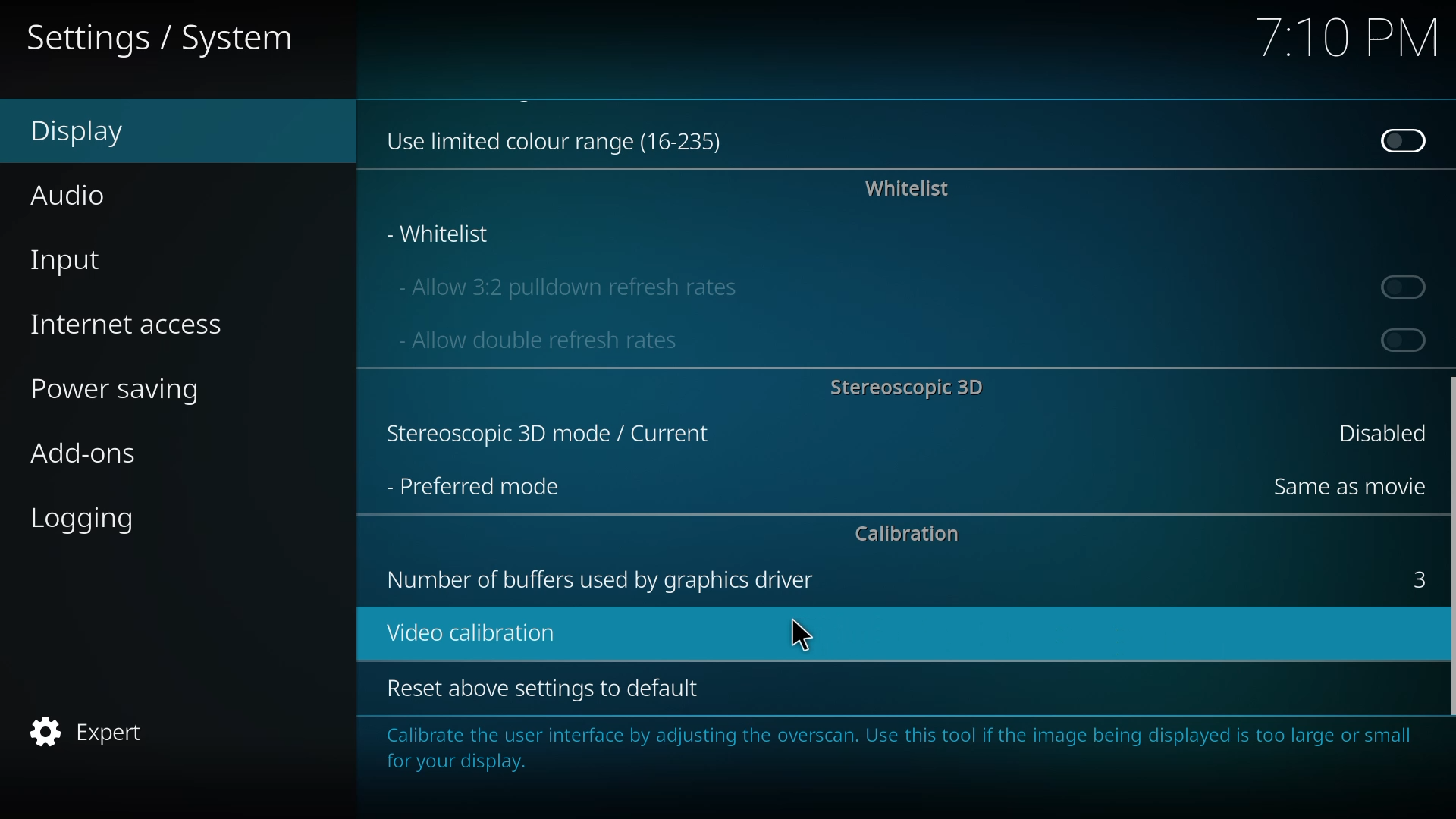 The height and width of the screenshot is (819, 1456). I want to click on display, so click(92, 132).